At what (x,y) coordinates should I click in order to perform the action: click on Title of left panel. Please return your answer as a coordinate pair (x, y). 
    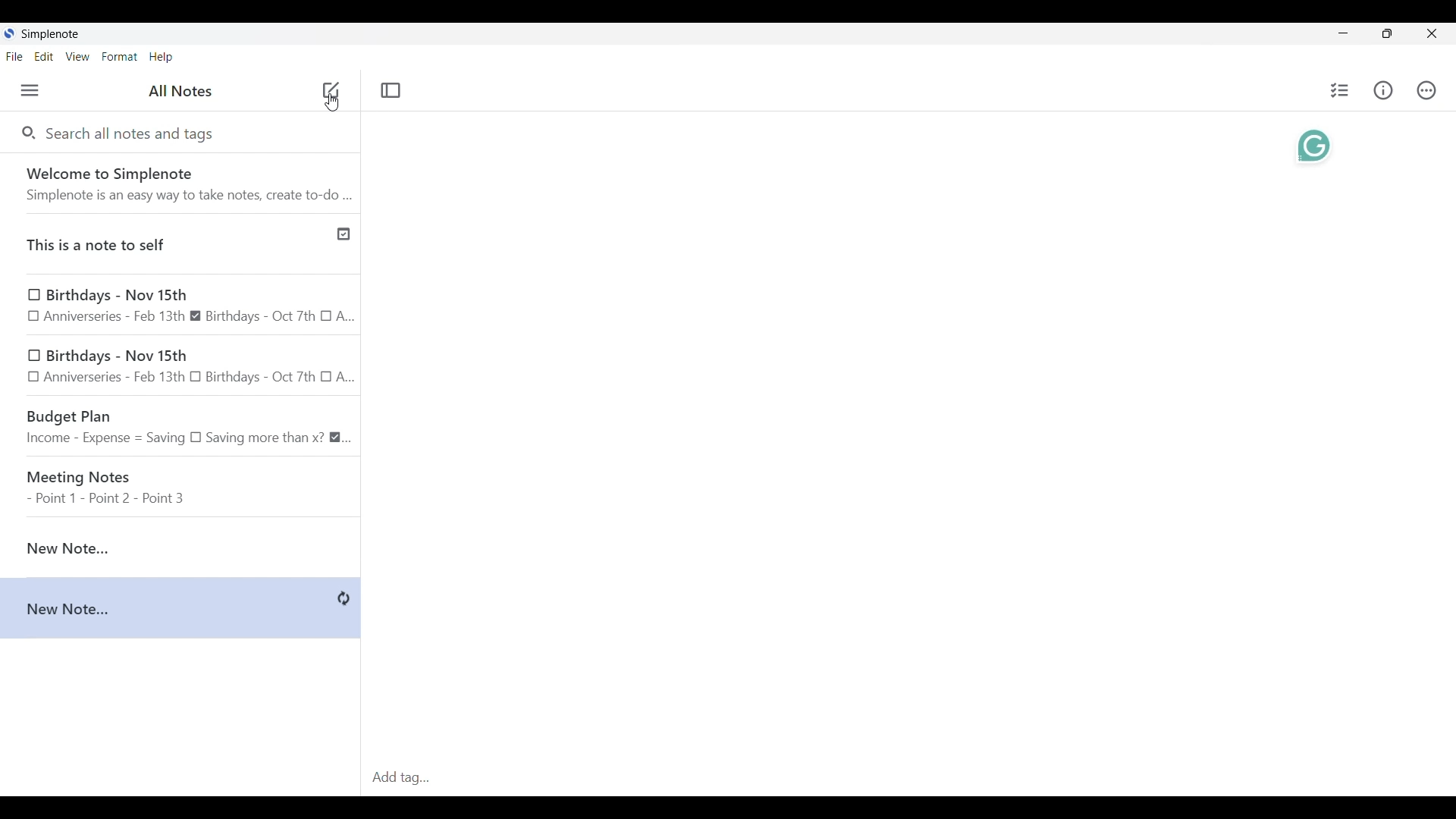
    Looking at the image, I should click on (180, 90).